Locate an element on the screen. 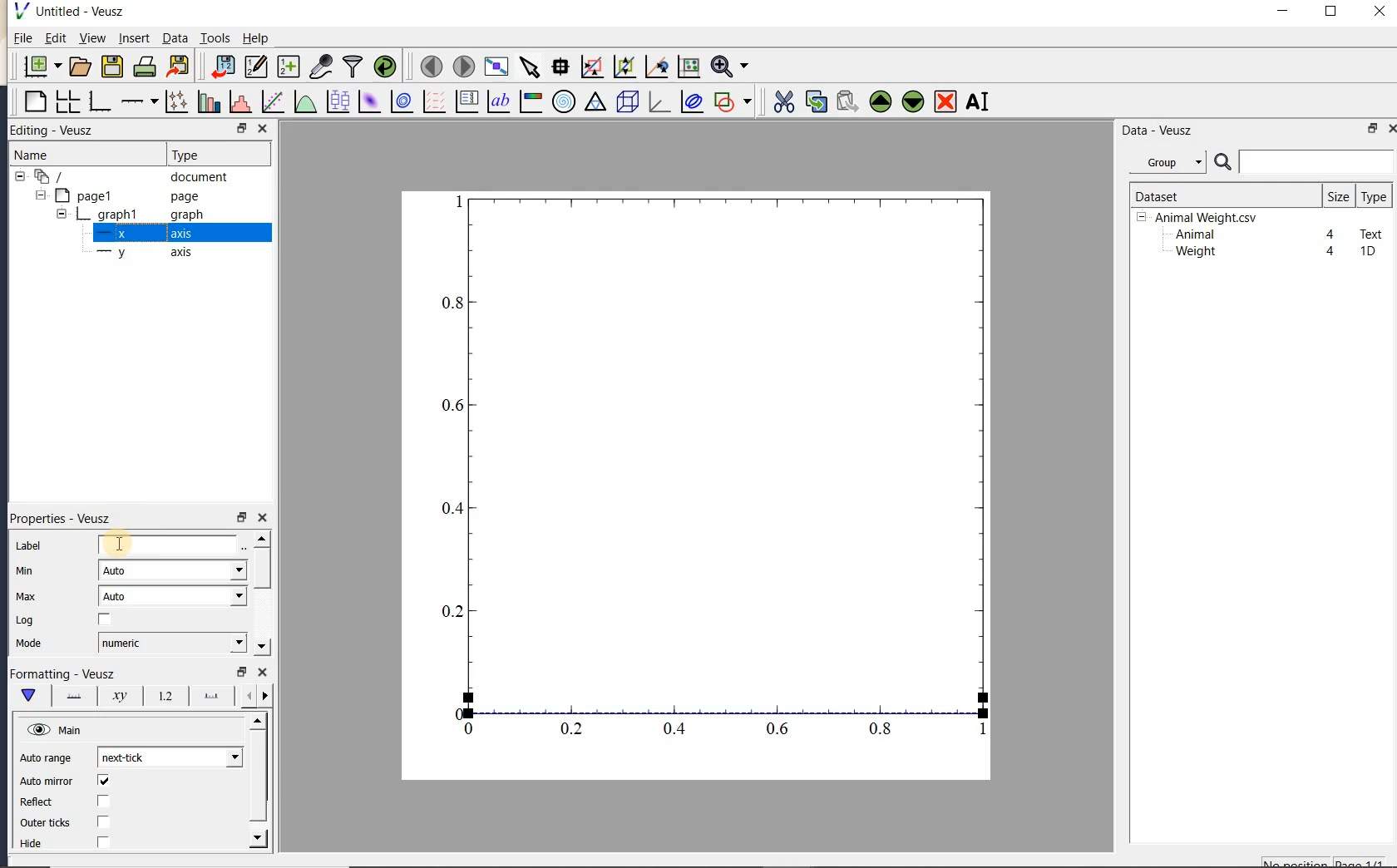 This screenshot has width=1397, height=868. ternary graph is located at coordinates (595, 104).